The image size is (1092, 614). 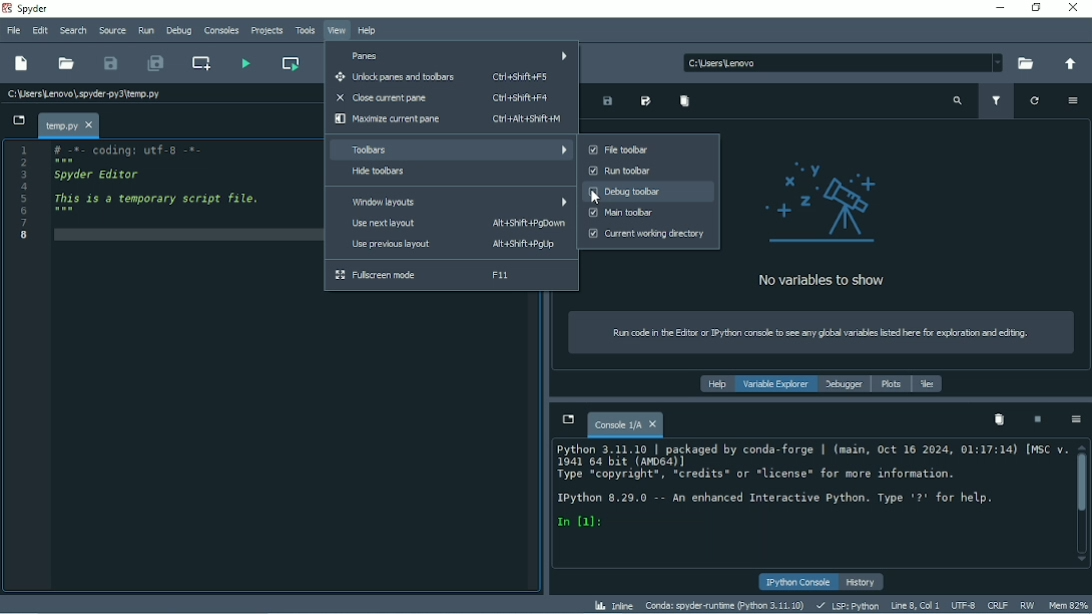 I want to click on Use previous layout, so click(x=446, y=245).